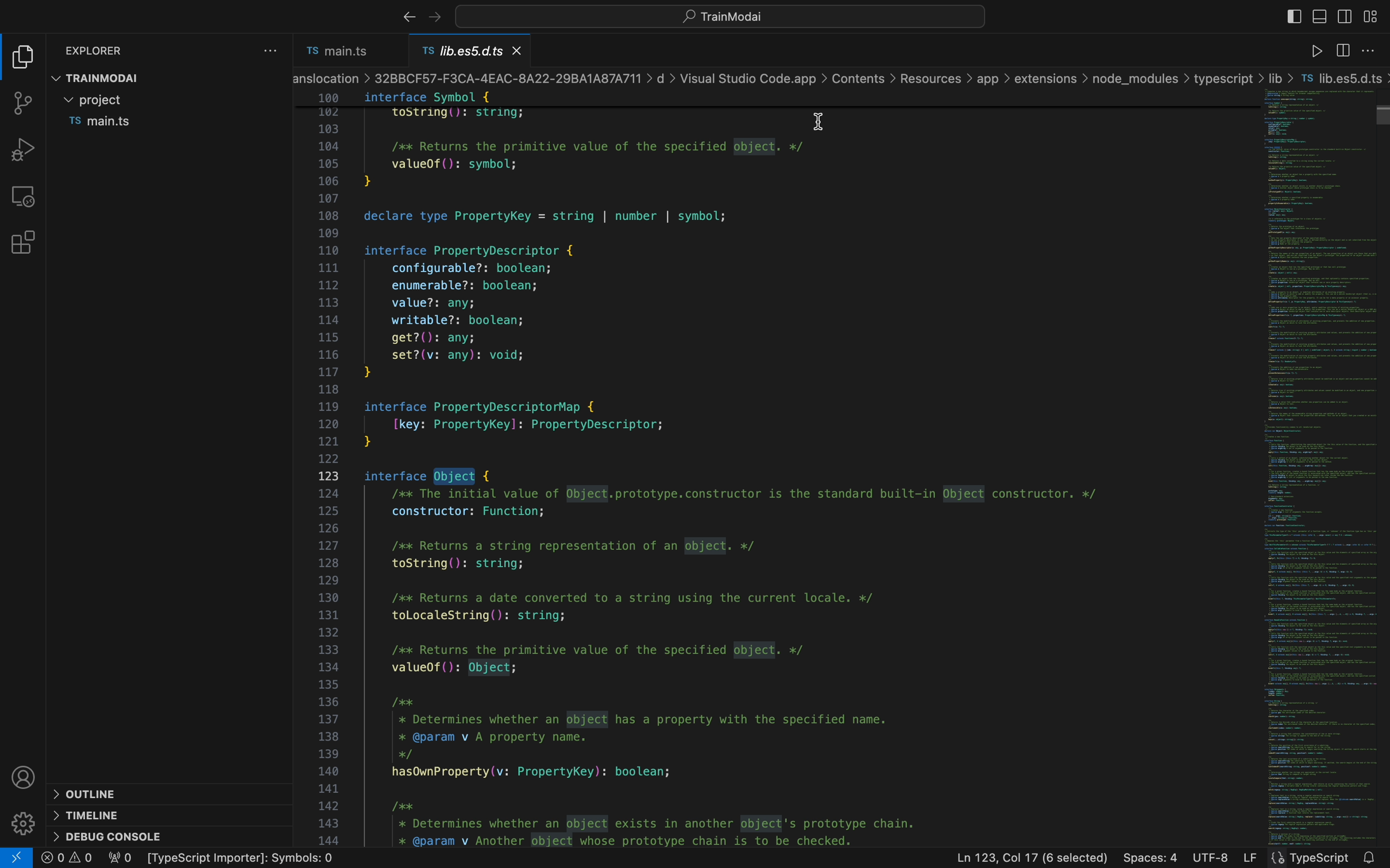 Image resolution: width=1390 pixels, height=868 pixels. Describe the element at coordinates (995, 856) in the screenshot. I see `Ln 1, Col 16` at that location.